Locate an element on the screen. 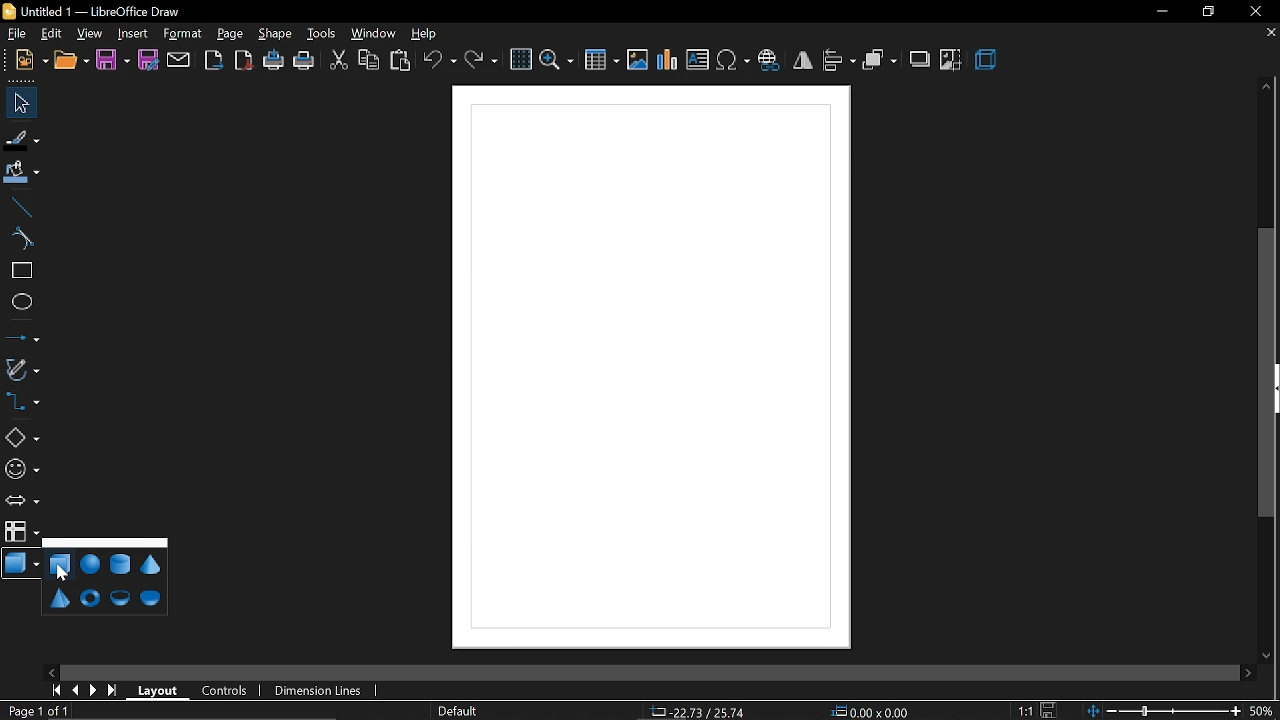  select is located at coordinates (17, 102).